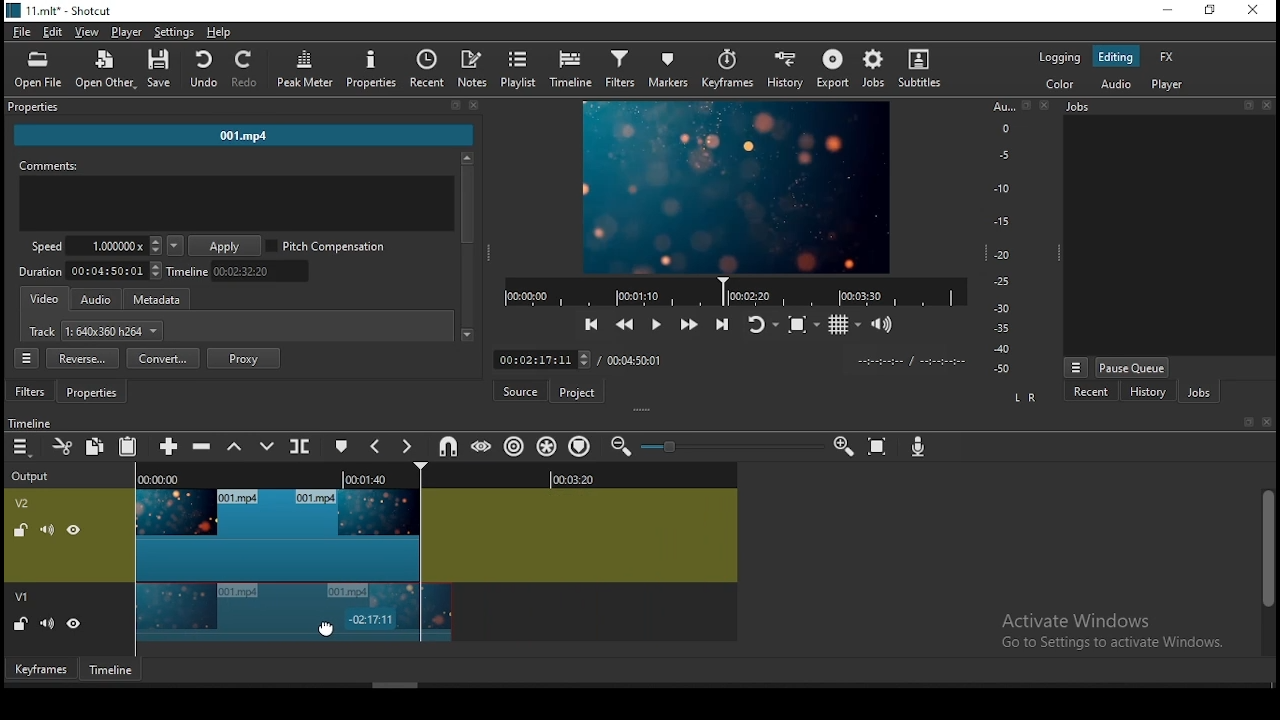 Image resolution: width=1280 pixels, height=720 pixels. I want to click on toggle zoom, so click(802, 323).